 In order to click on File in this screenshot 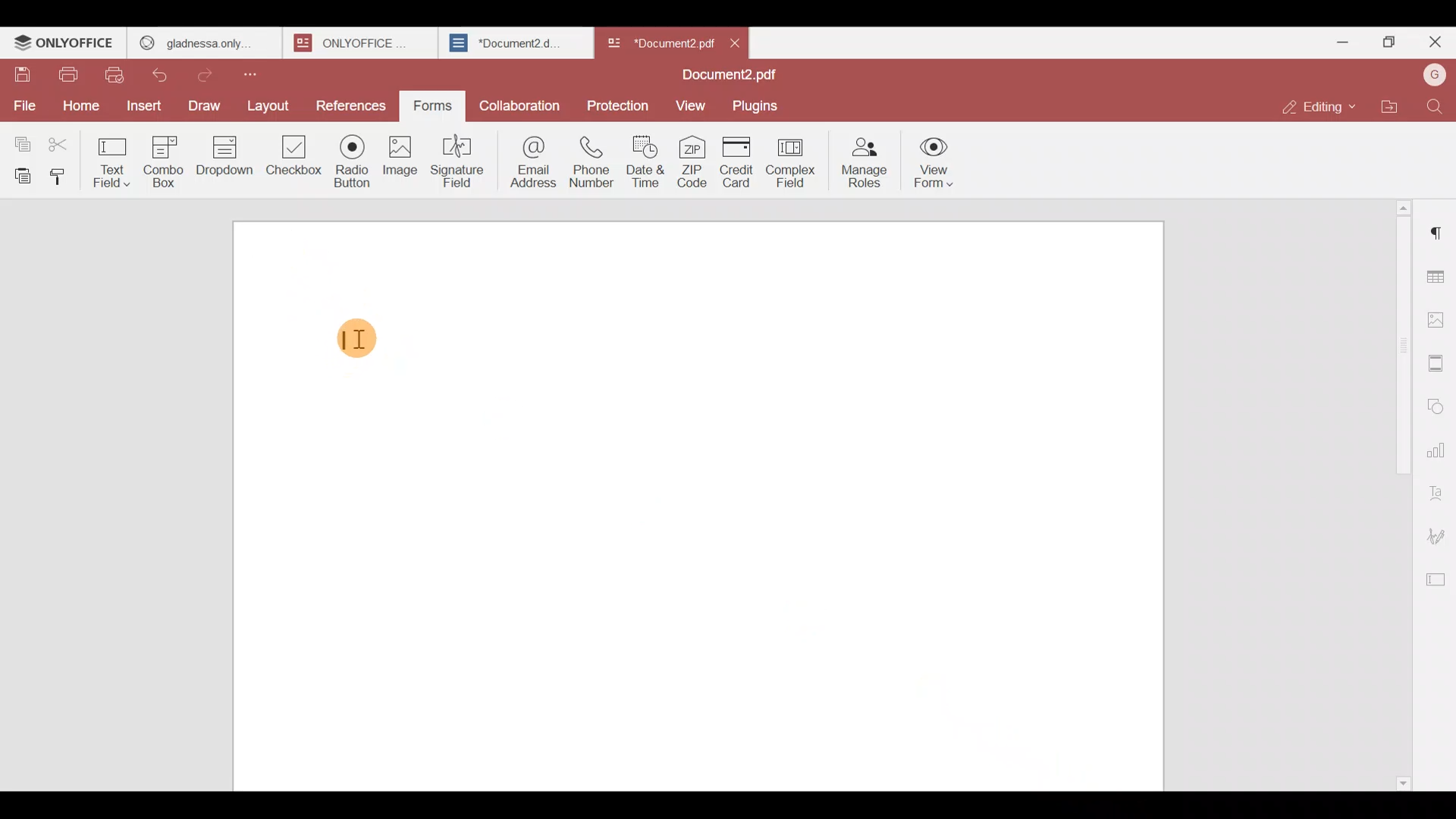, I will do `click(24, 105)`.